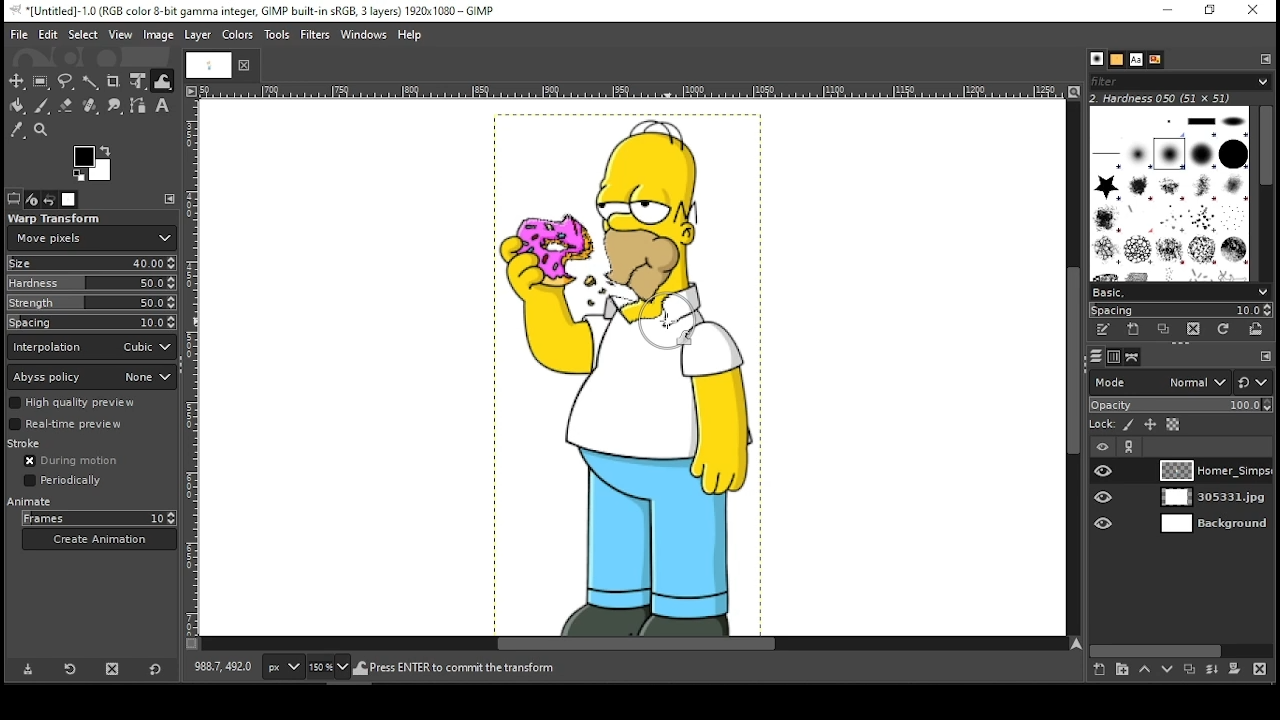 This screenshot has width=1280, height=720. Describe the element at coordinates (1103, 330) in the screenshot. I see `edit this brush` at that location.